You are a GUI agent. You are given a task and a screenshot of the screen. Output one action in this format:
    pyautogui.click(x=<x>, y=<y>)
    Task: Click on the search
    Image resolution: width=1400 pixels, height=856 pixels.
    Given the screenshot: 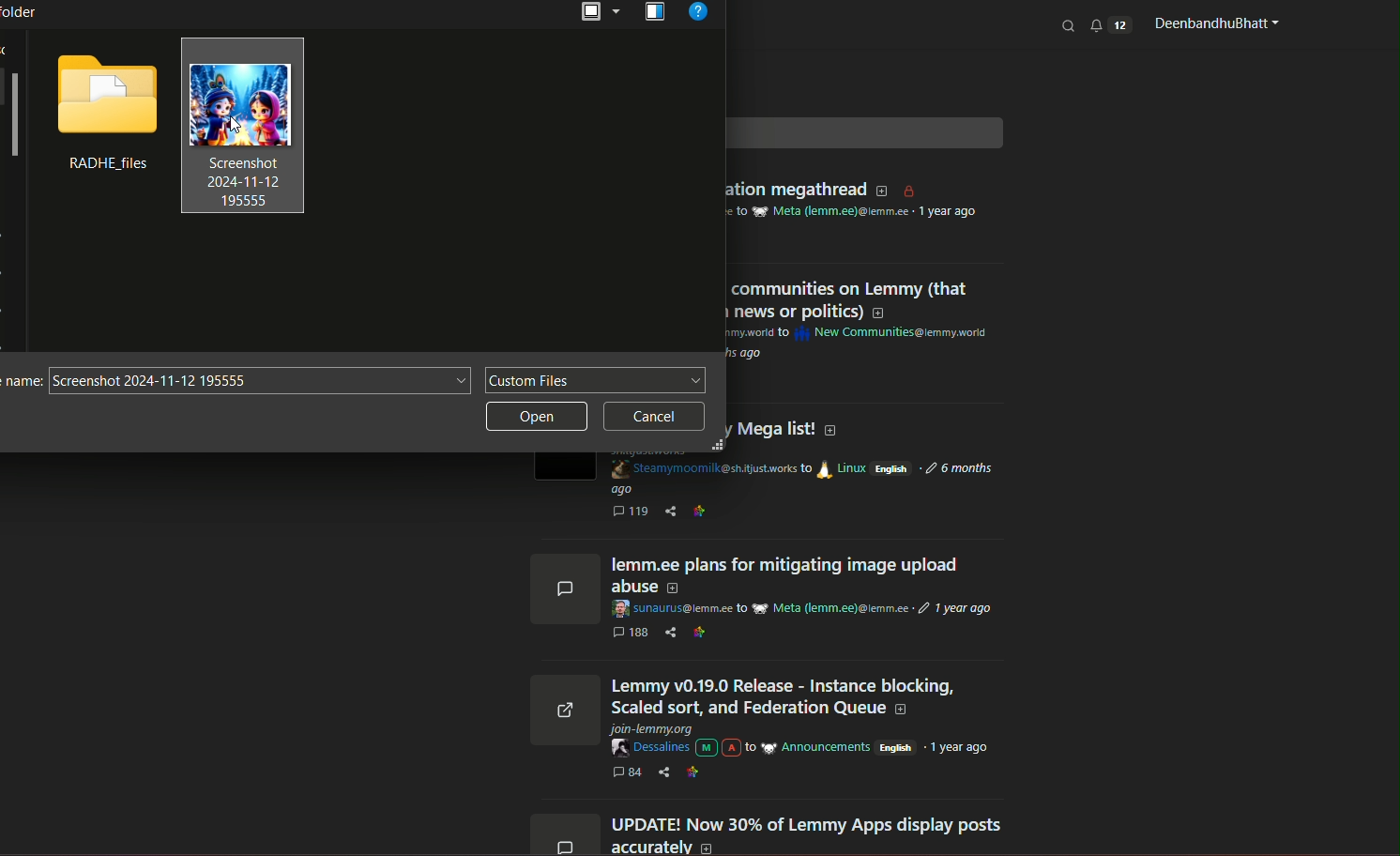 What is the action you would take?
    pyautogui.click(x=1070, y=25)
    